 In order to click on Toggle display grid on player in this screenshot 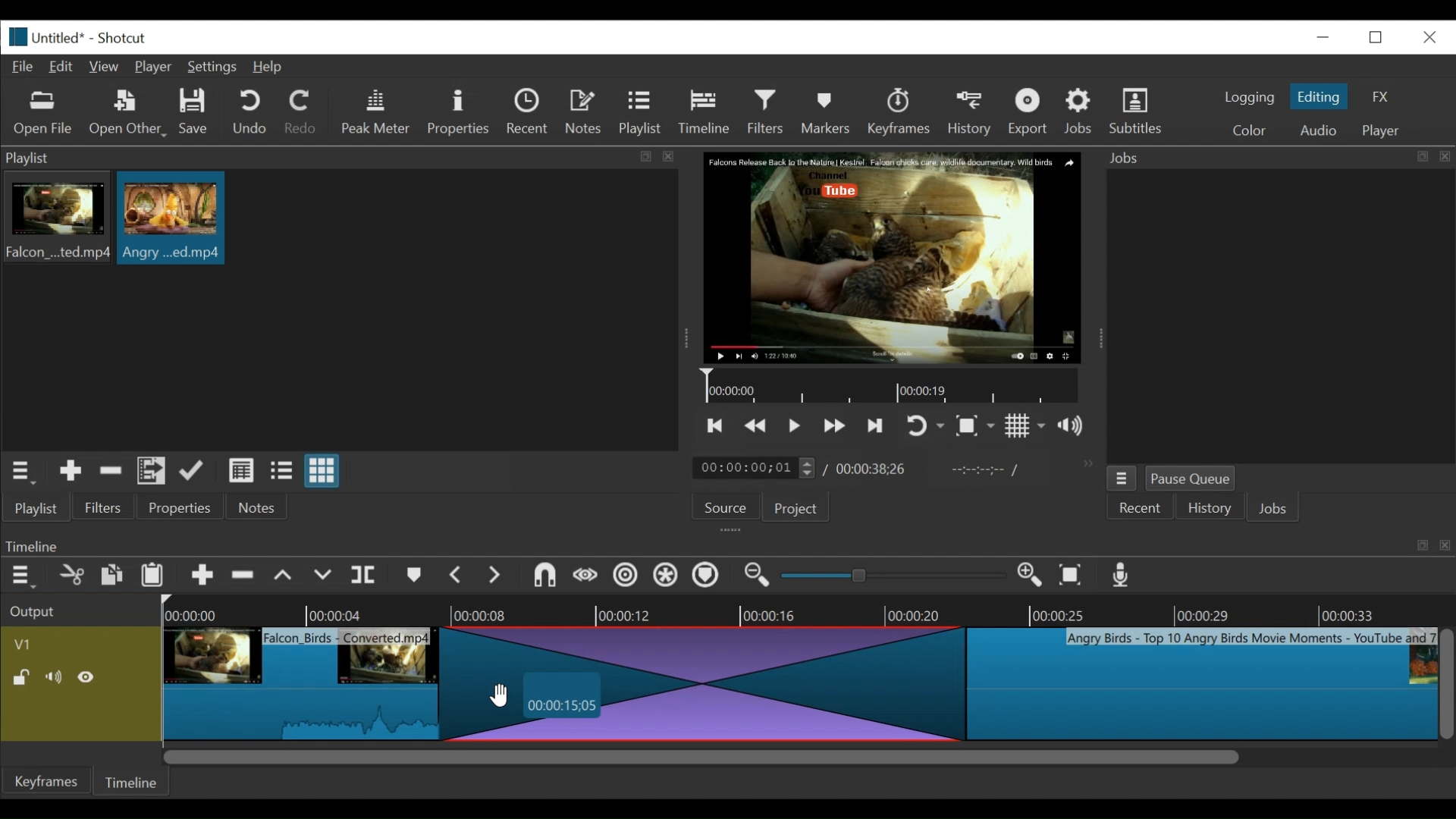, I will do `click(1025, 425)`.